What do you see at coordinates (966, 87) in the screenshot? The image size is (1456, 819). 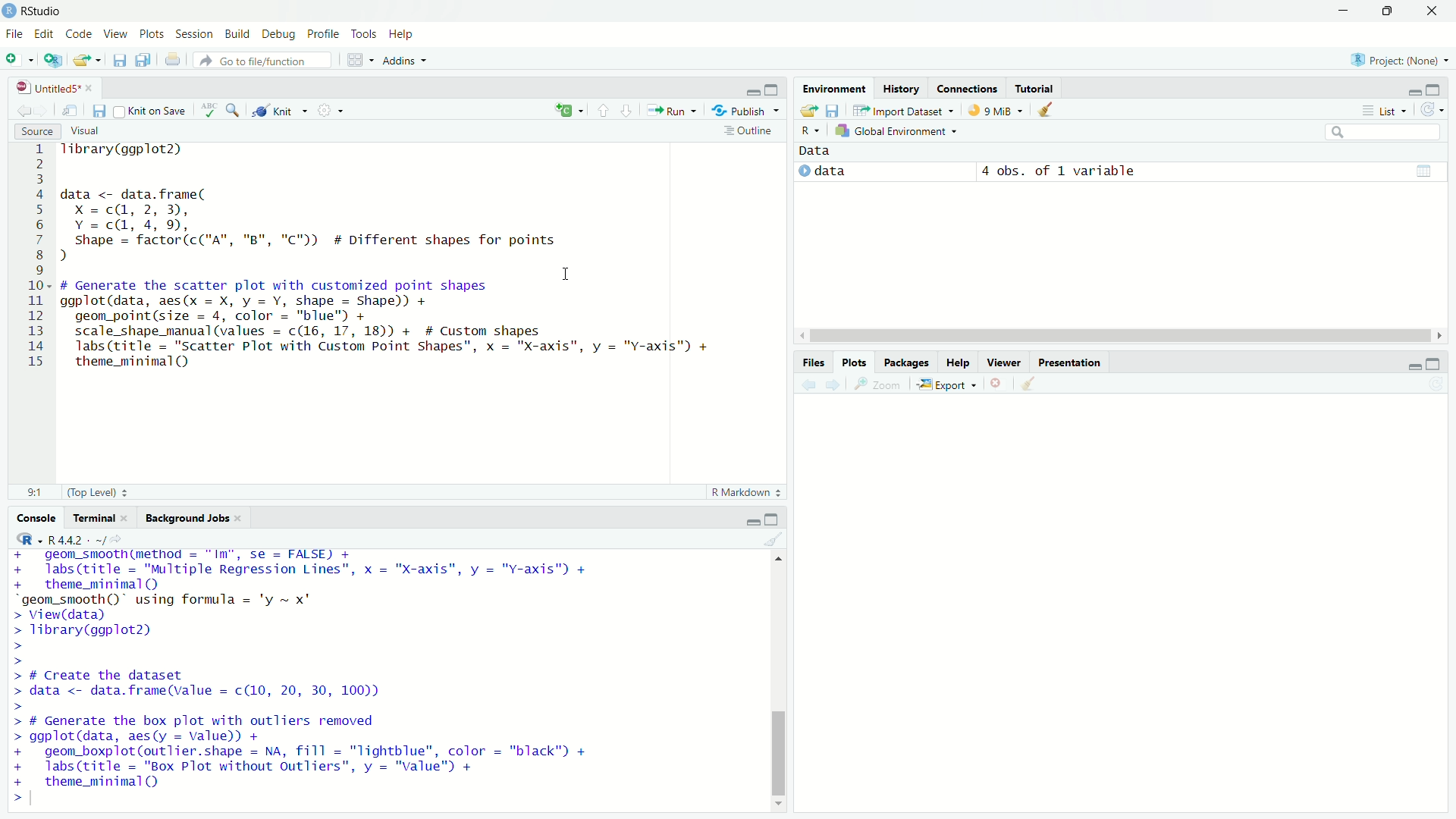 I see `Connections` at bounding box center [966, 87].